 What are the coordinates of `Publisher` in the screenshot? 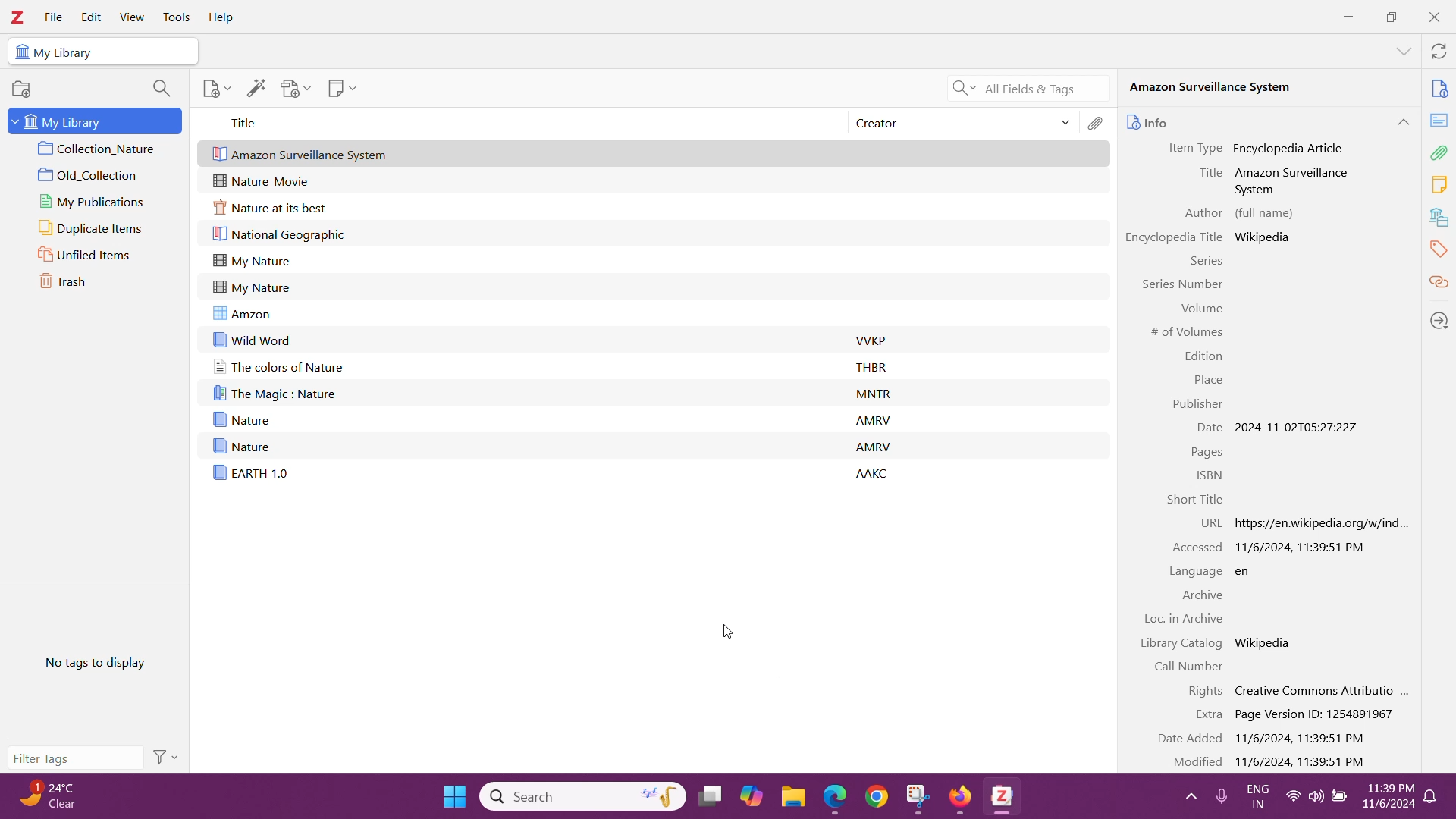 It's located at (1194, 405).